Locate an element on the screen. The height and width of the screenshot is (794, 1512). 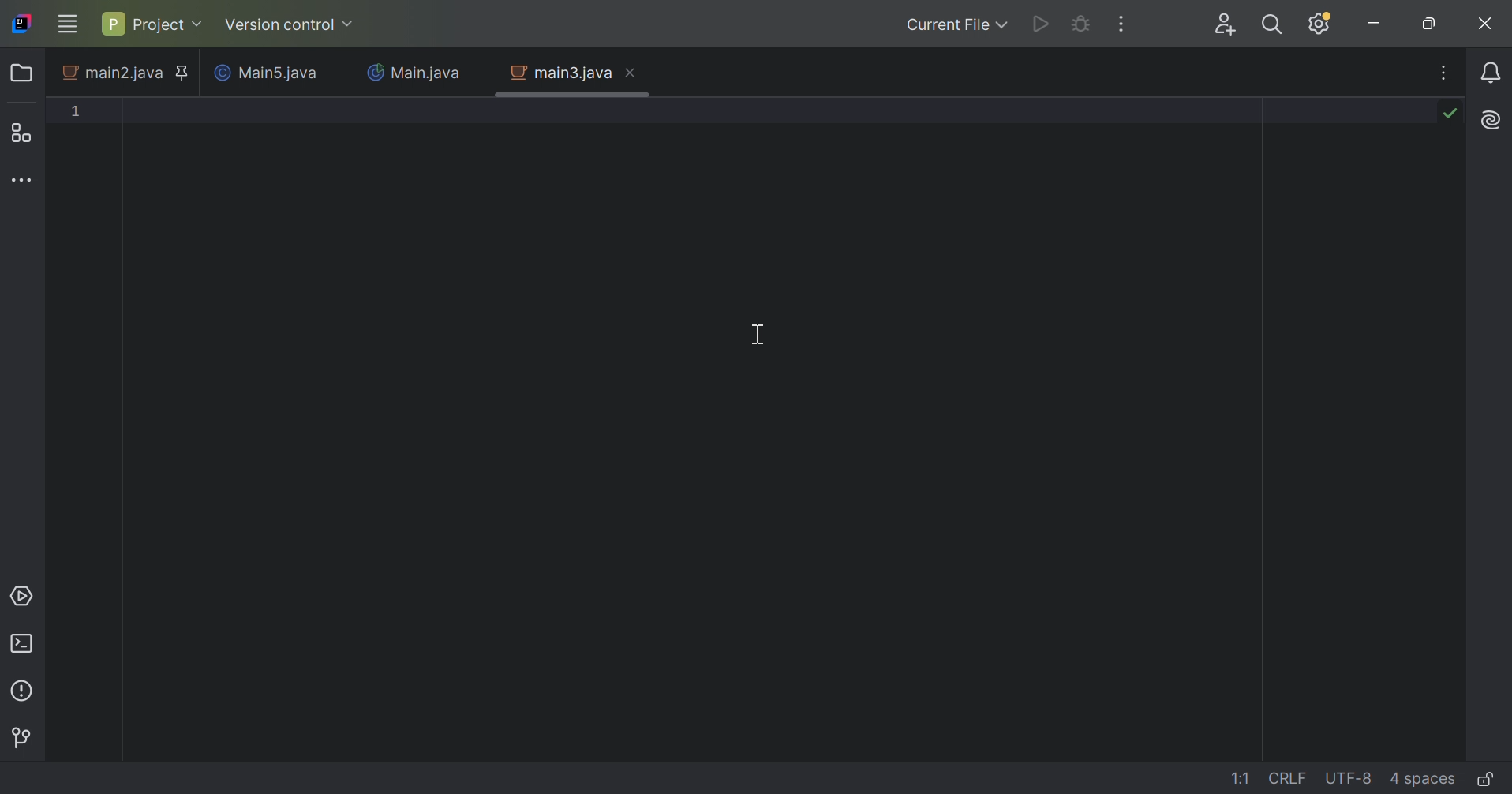
line separation: \r\n is located at coordinates (1288, 777).